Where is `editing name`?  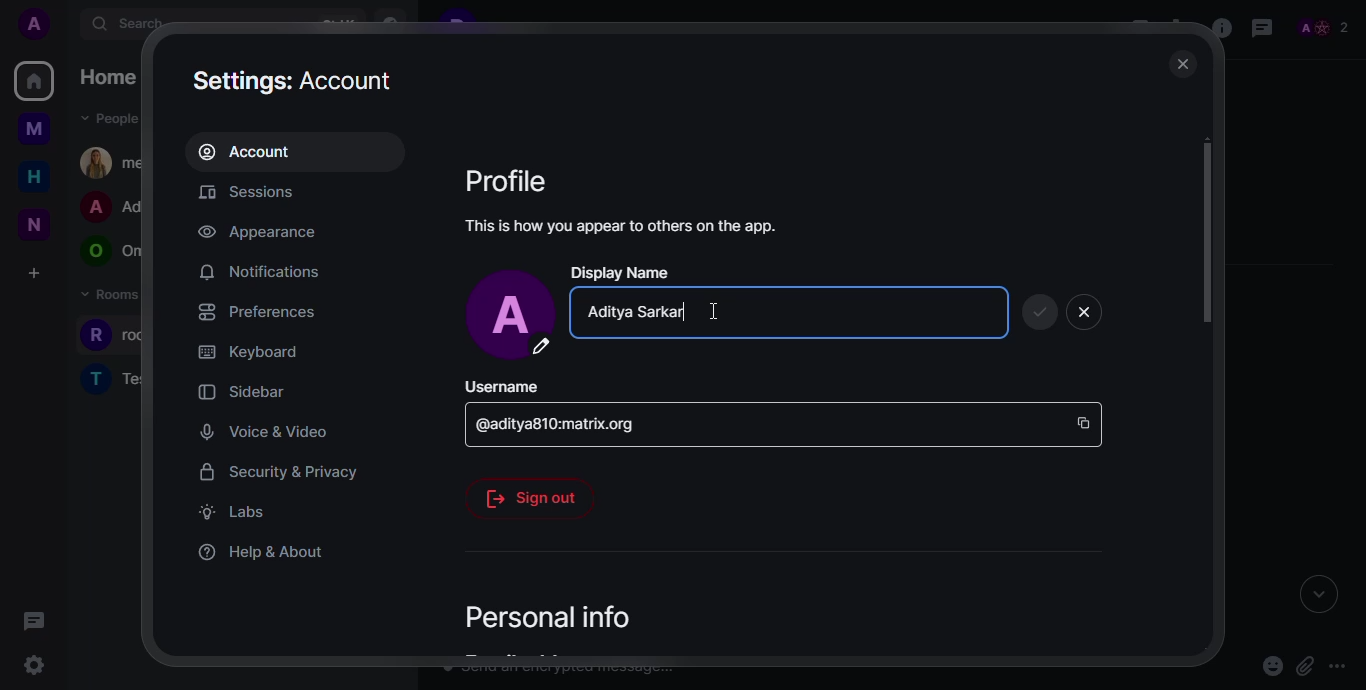
editing name is located at coordinates (640, 313).